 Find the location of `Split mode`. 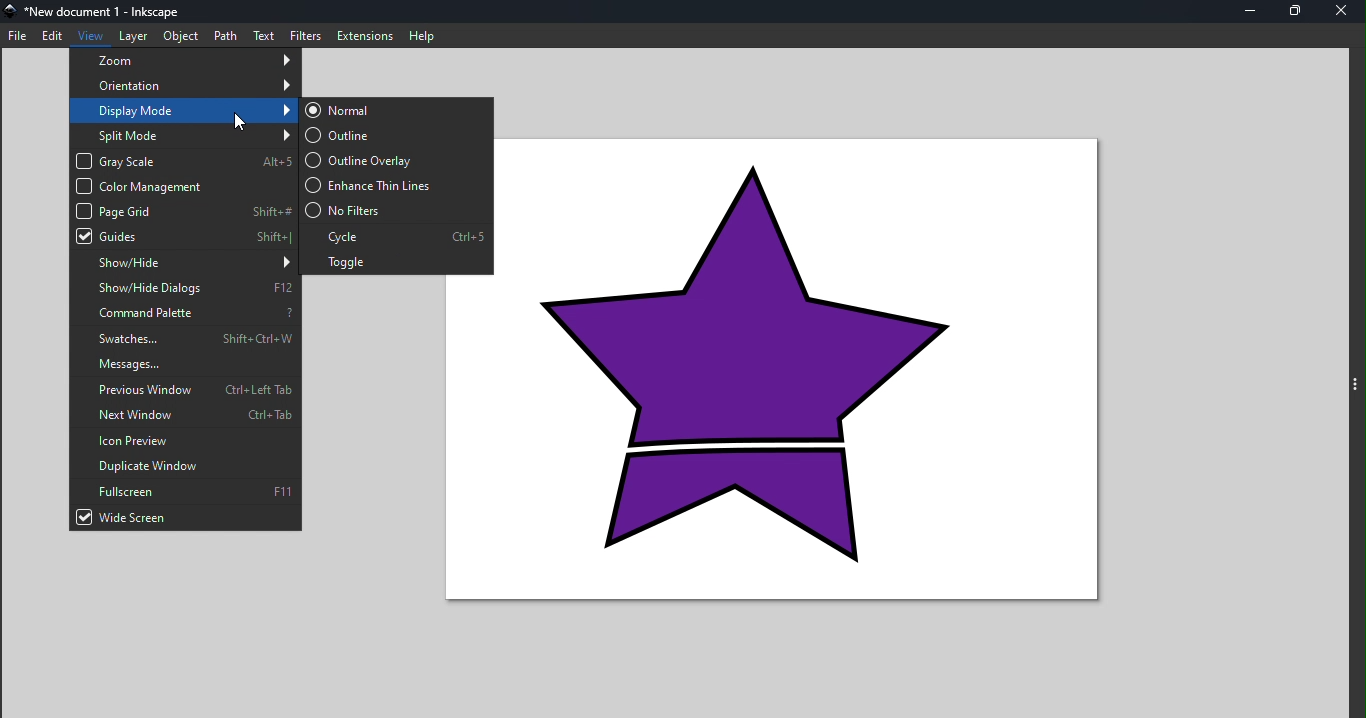

Split mode is located at coordinates (186, 133).